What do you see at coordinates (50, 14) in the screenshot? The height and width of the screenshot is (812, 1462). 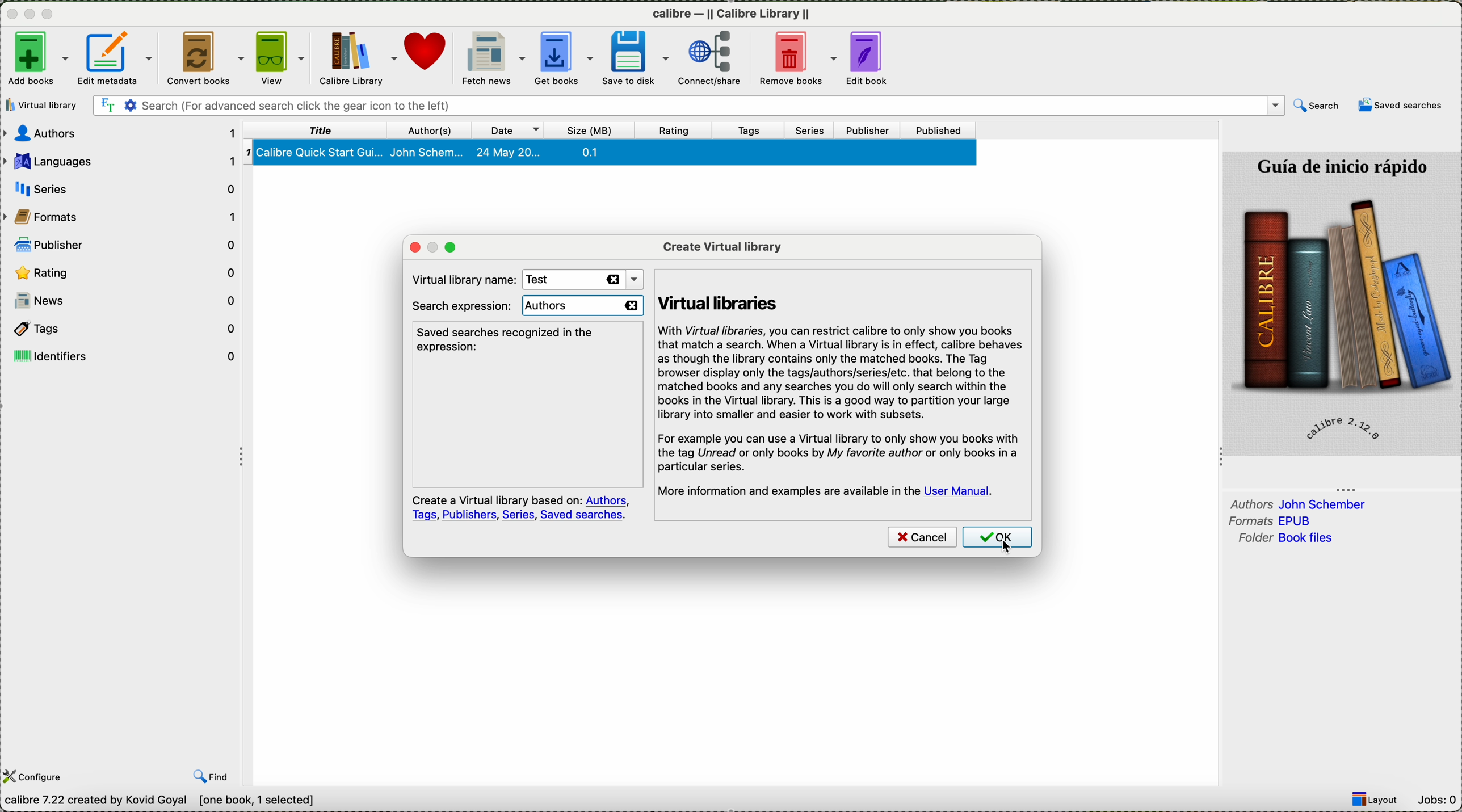 I see `maximize program` at bounding box center [50, 14].